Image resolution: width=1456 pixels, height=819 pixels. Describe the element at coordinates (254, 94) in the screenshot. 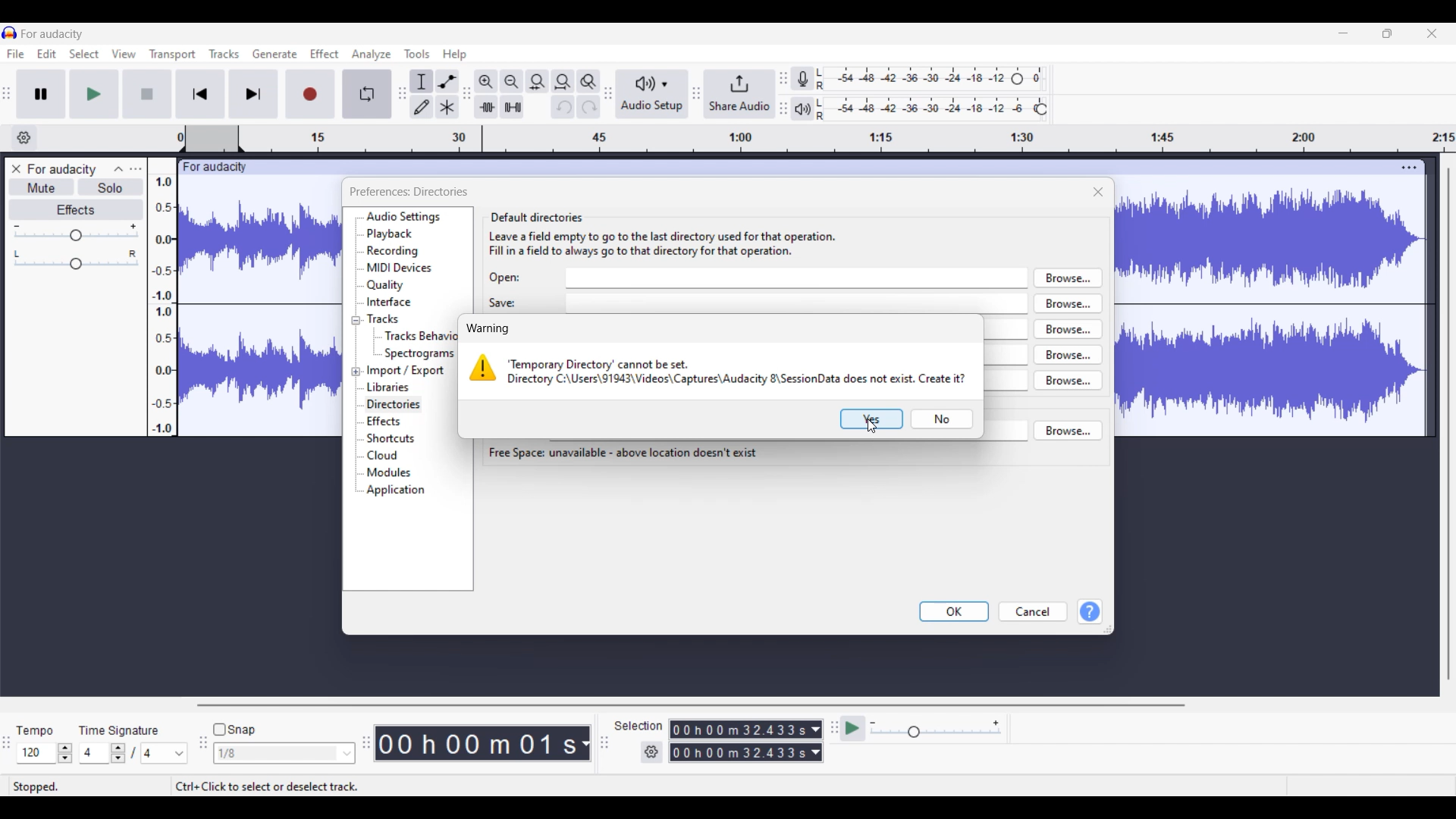

I see `Skip/Select to end` at that location.